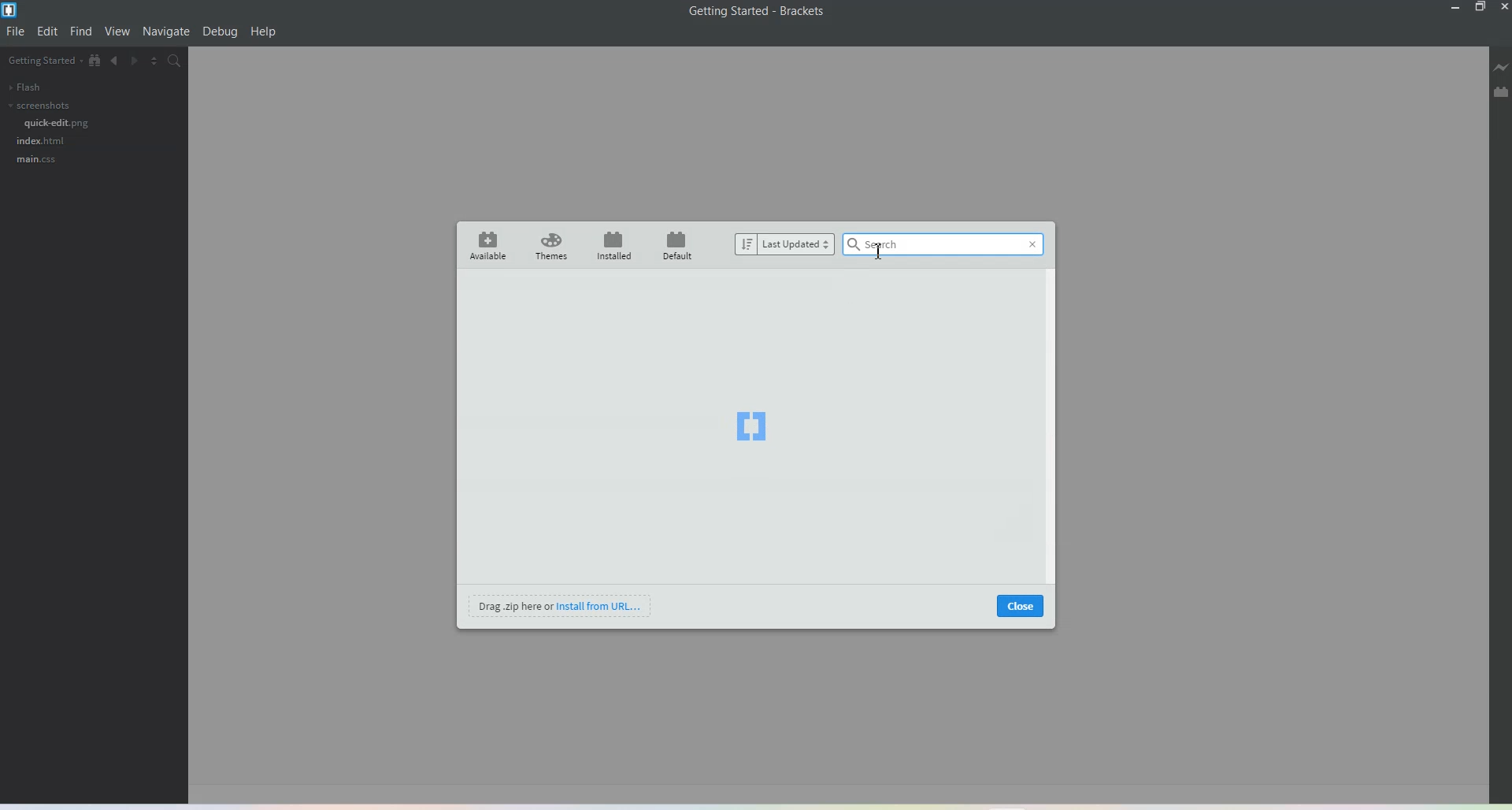 Image resolution: width=1512 pixels, height=810 pixels. I want to click on Find In Files, so click(180, 63).